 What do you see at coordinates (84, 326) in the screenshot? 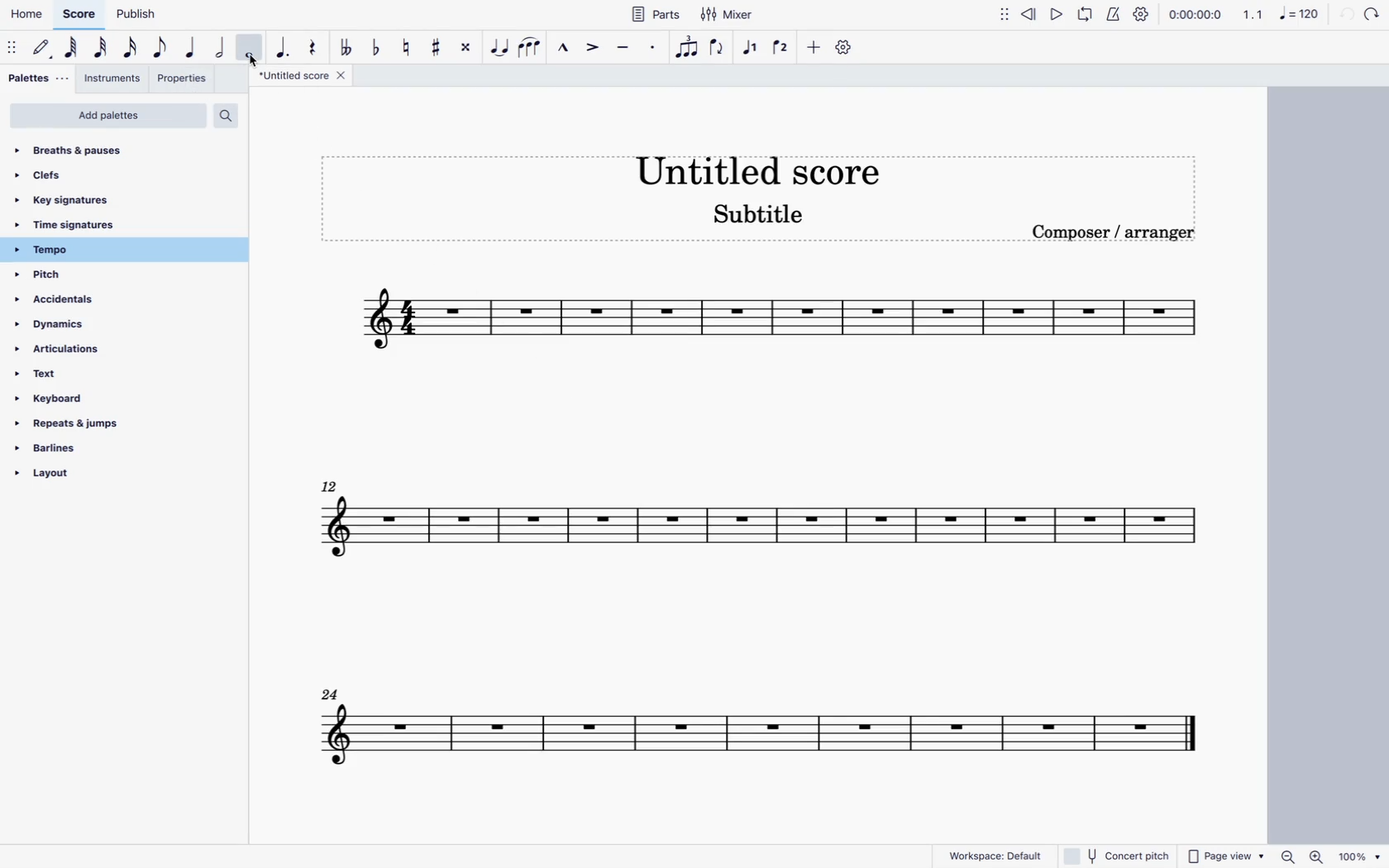
I see `dynamics` at bounding box center [84, 326].